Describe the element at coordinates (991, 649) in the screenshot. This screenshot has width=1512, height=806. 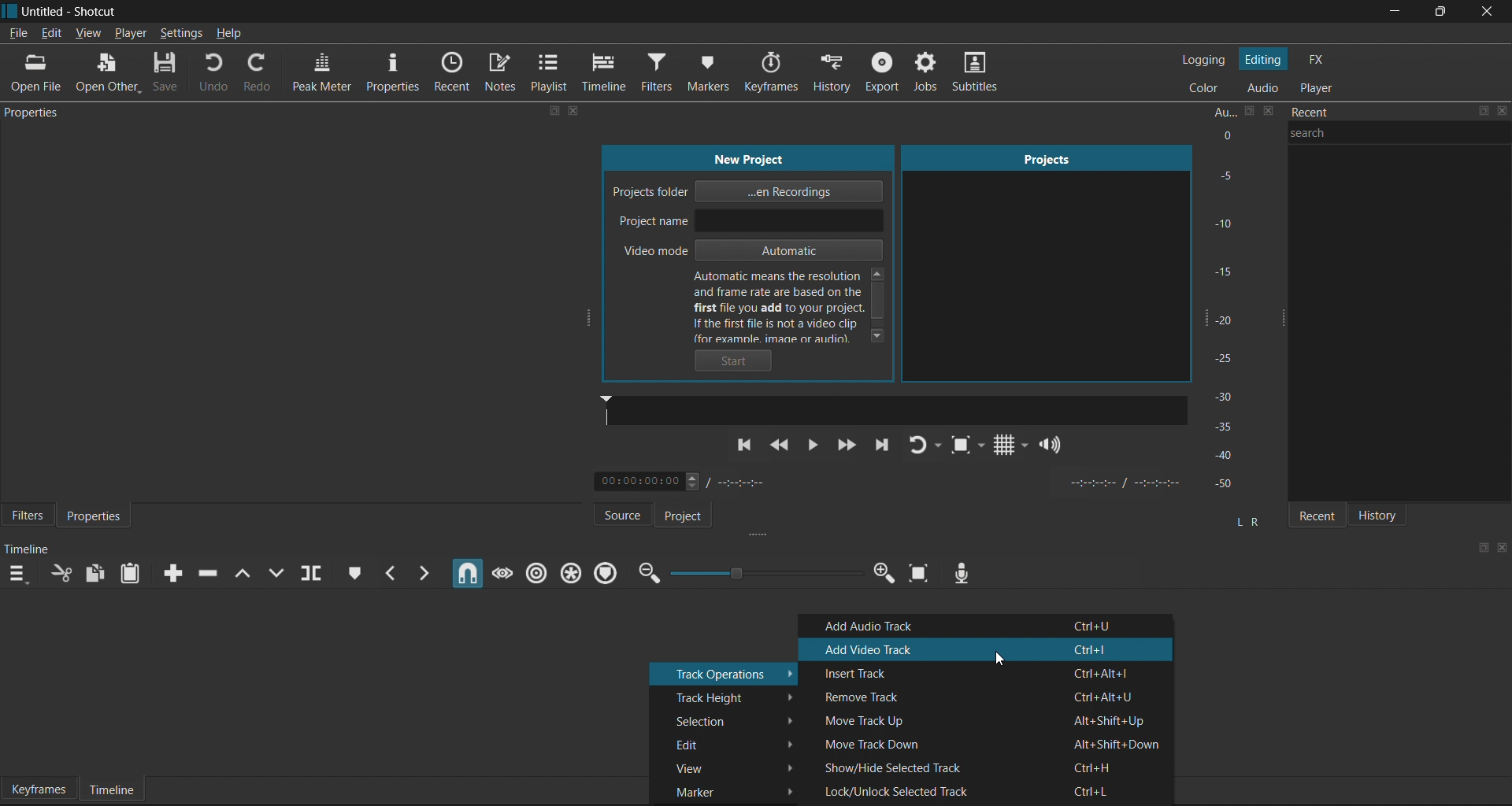
I see `Add Video Track` at that location.